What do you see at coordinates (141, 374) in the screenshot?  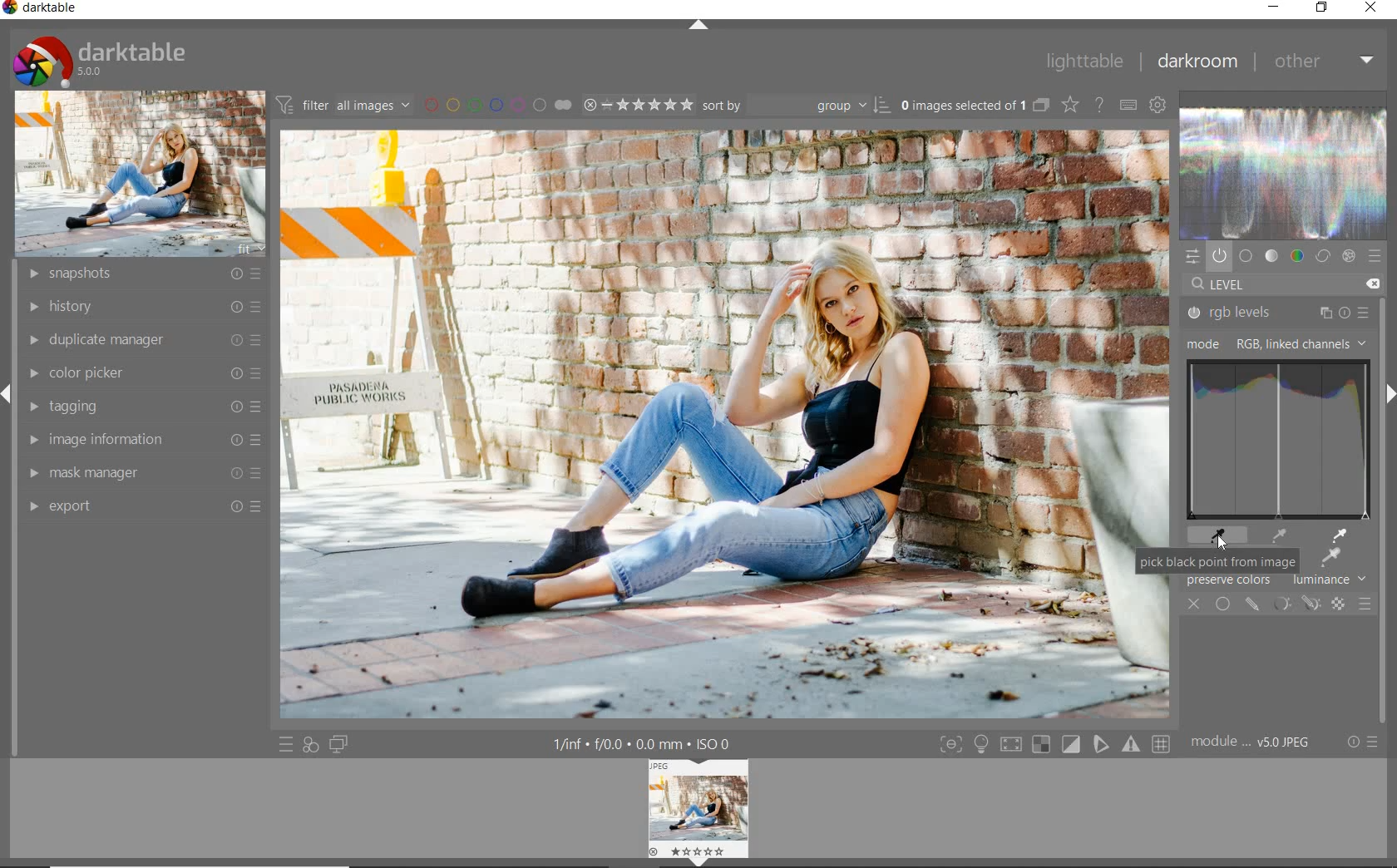 I see `color picker` at bounding box center [141, 374].